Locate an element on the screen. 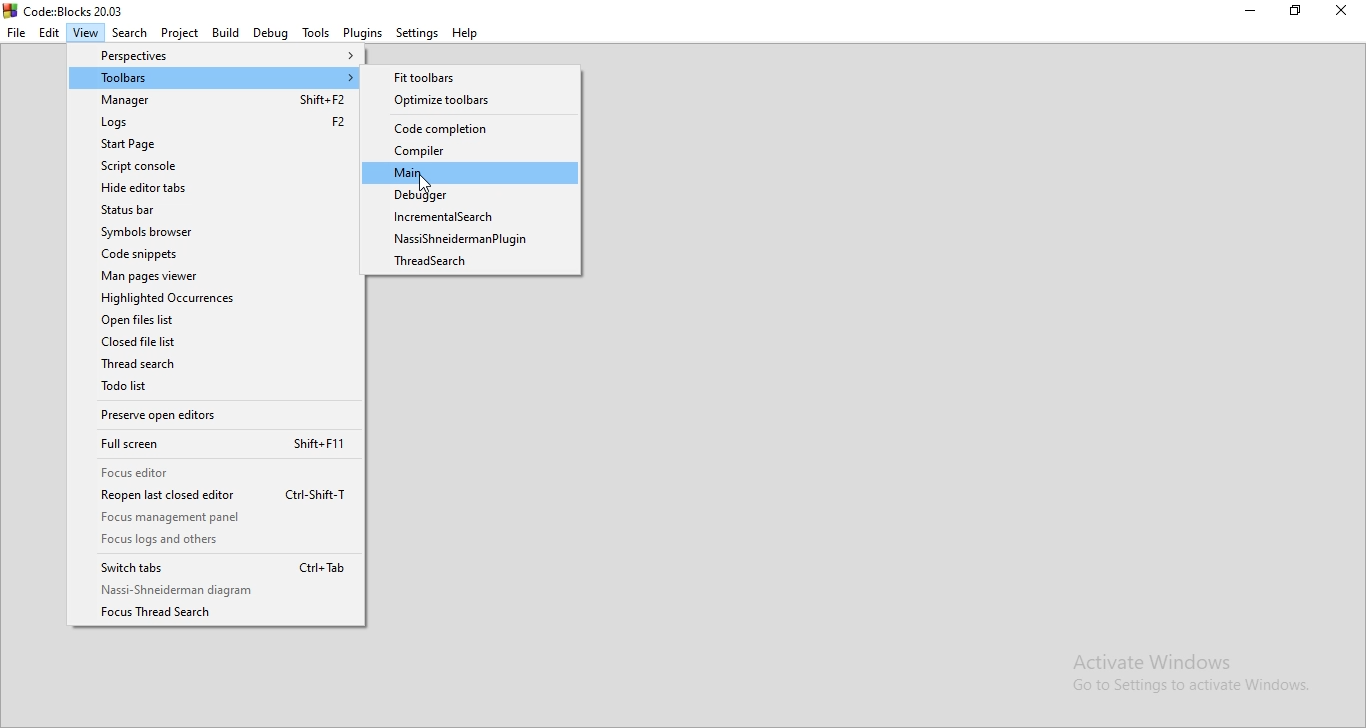  Edit  is located at coordinates (51, 33).